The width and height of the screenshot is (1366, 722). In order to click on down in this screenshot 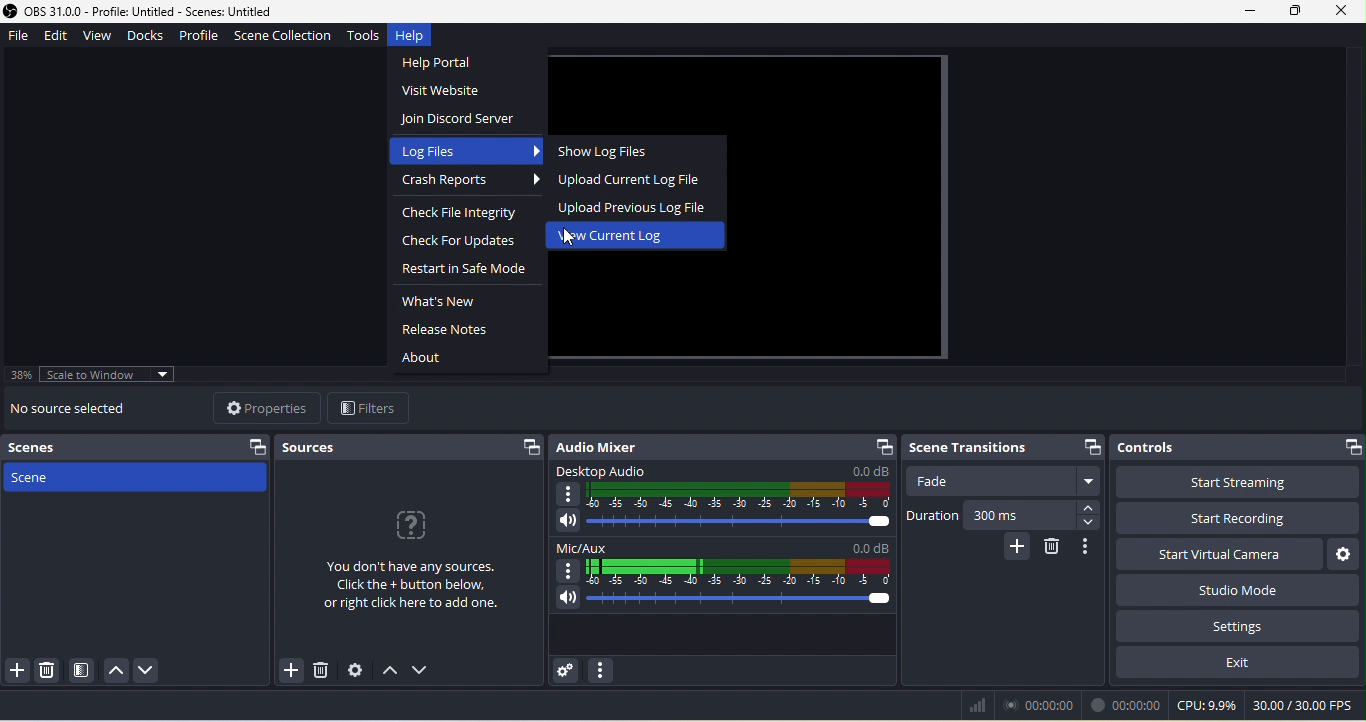, I will do `click(425, 672)`.